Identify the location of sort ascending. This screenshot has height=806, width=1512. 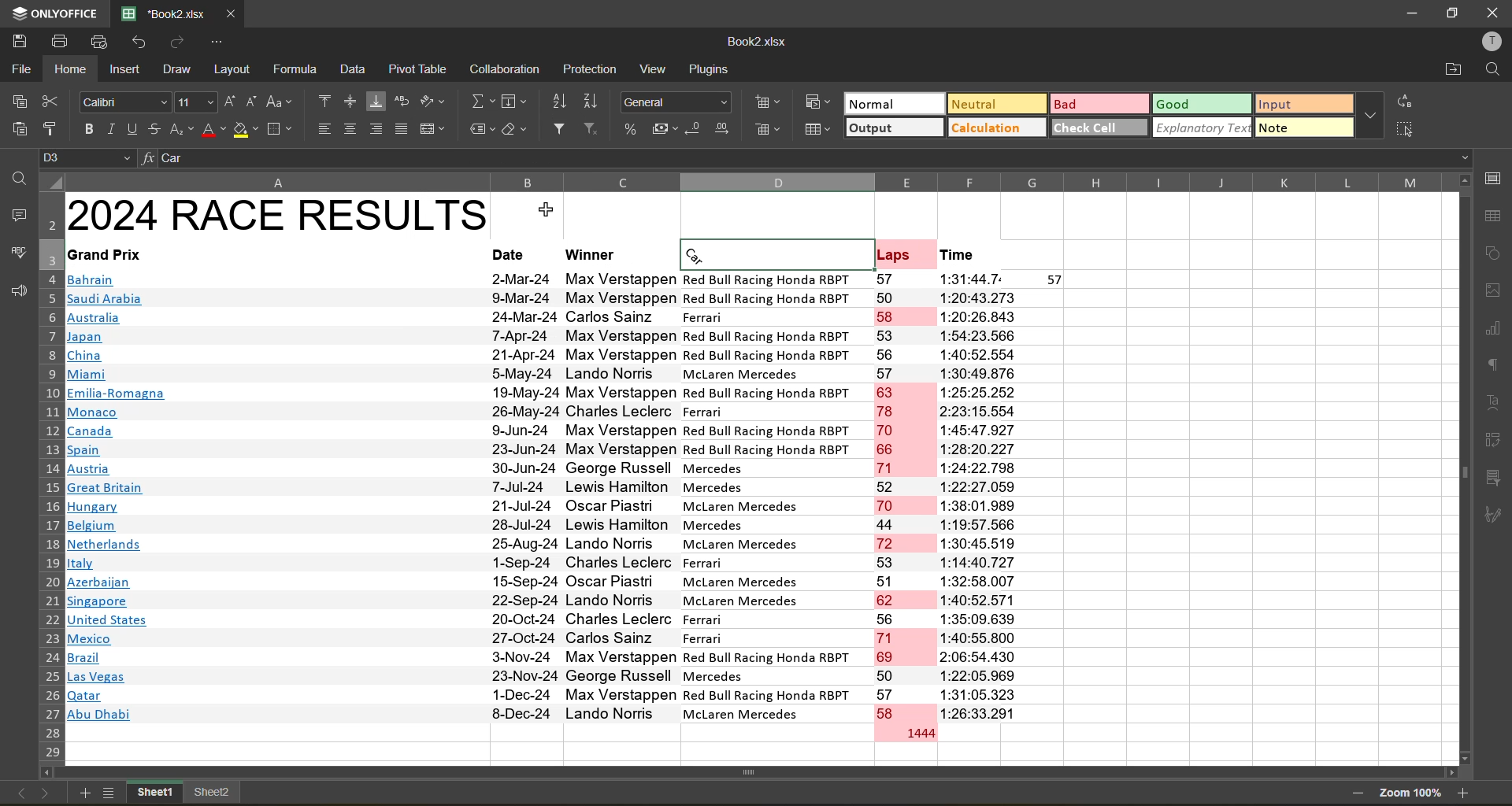
(557, 100).